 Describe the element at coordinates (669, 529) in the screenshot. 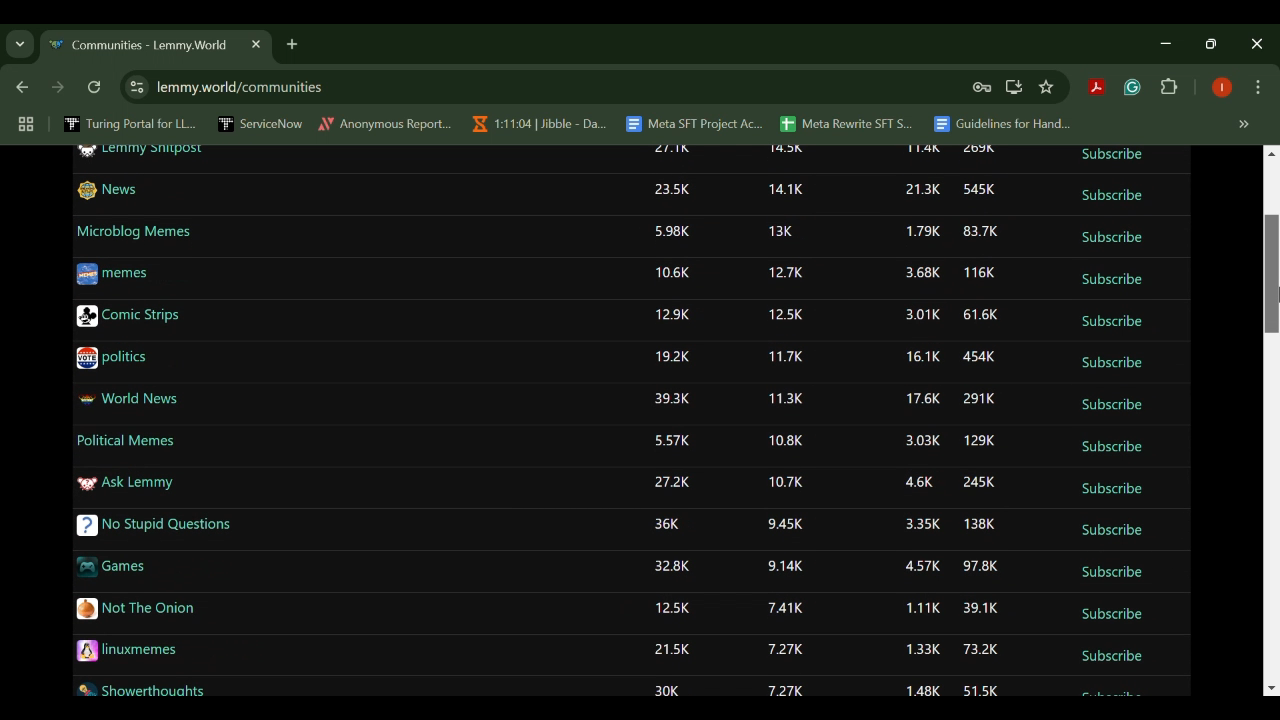

I see `36K` at that location.